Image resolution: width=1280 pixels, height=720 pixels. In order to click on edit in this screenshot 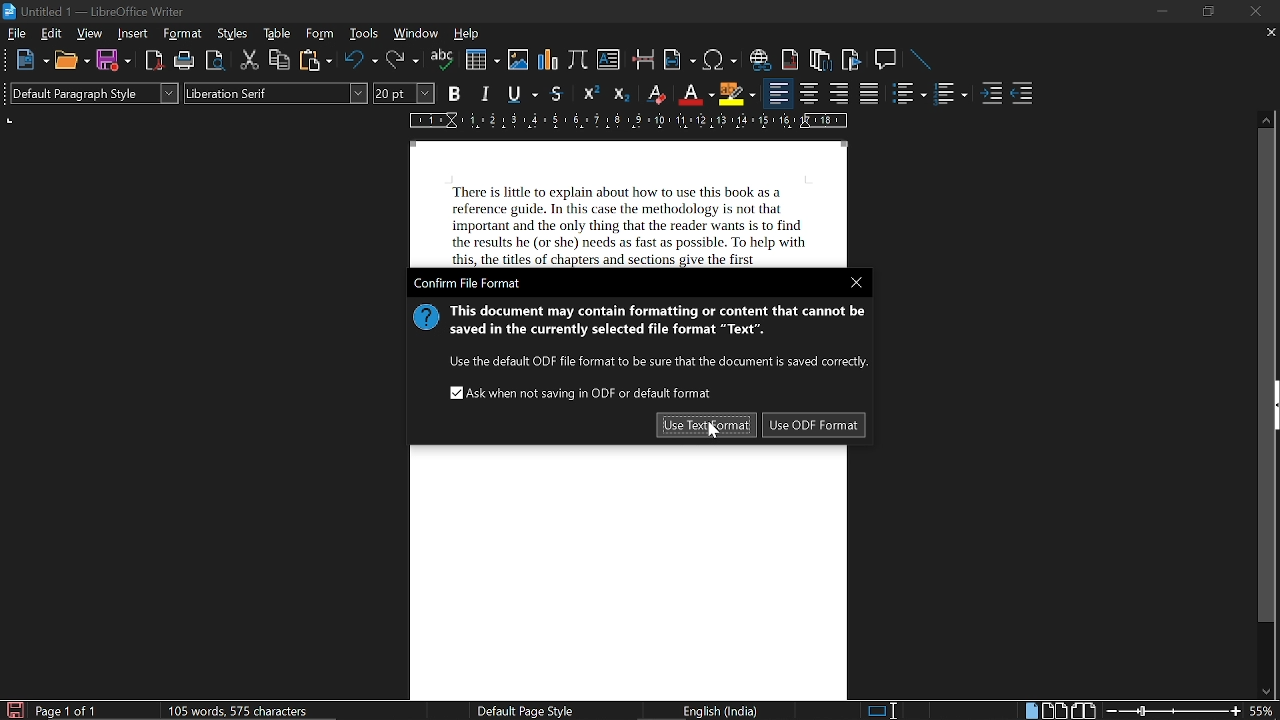, I will do `click(52, 34)`.